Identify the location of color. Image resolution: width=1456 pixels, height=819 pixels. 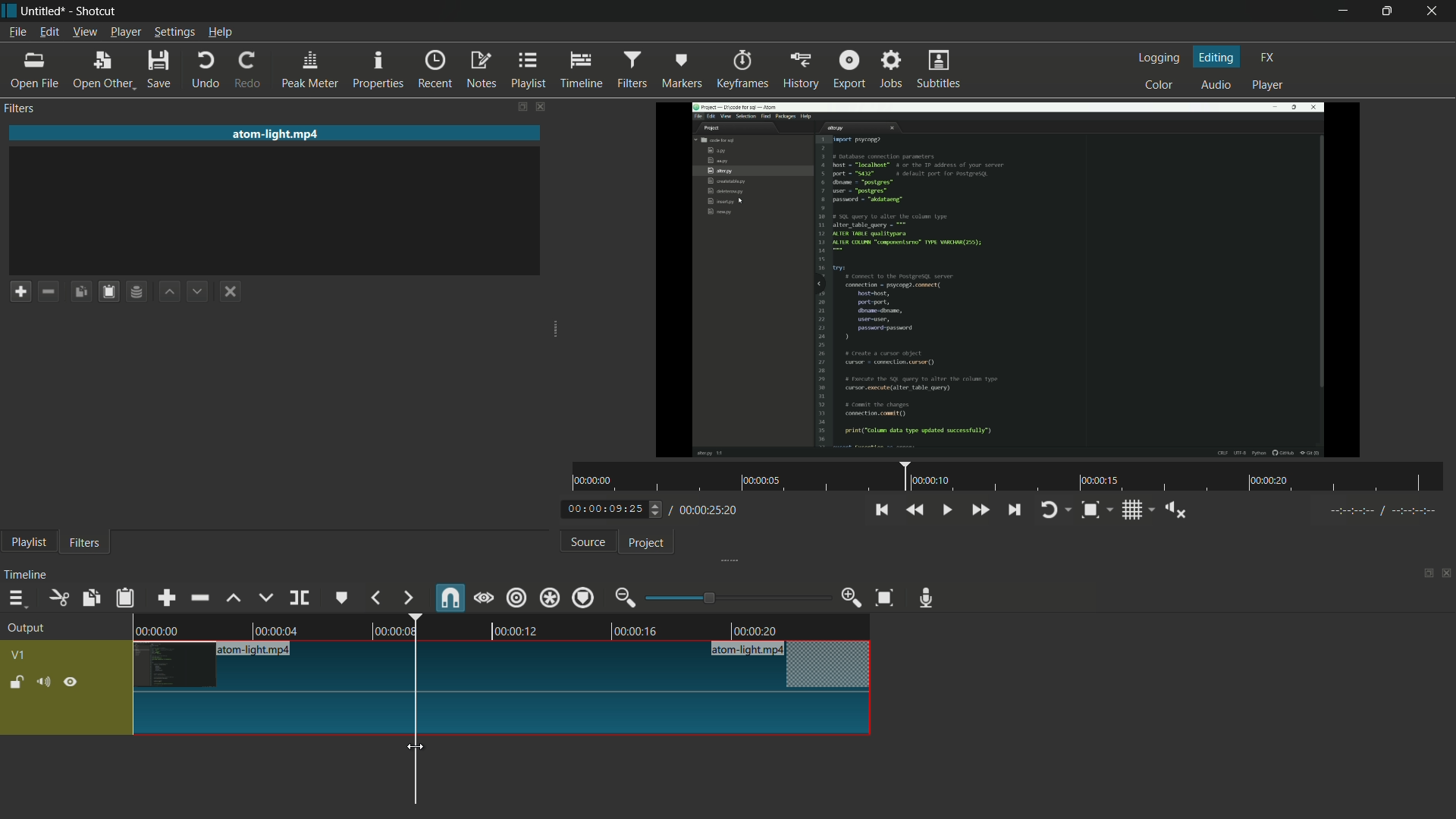
(1159, 83).